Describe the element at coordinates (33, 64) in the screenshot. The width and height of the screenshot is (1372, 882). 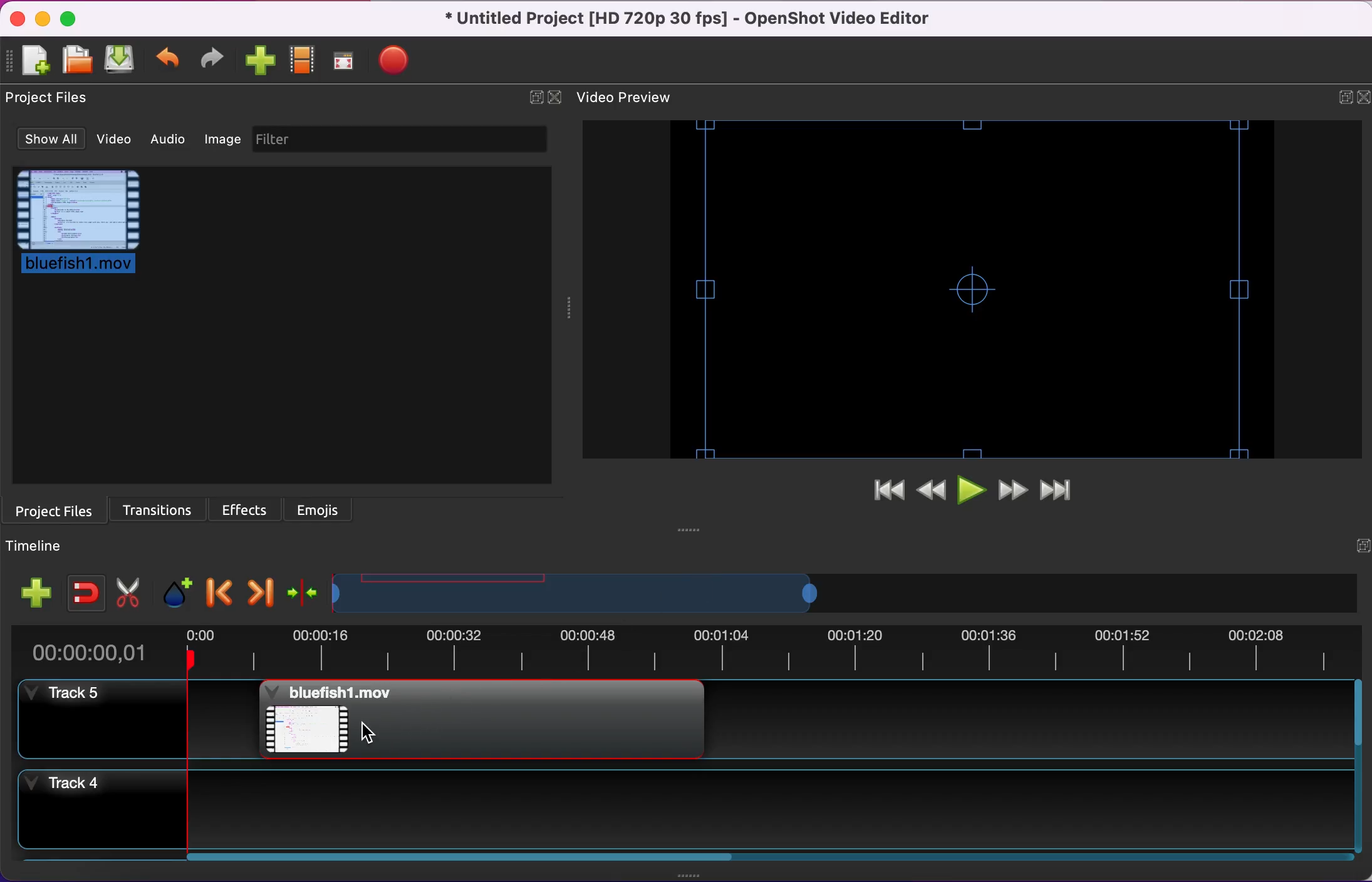
I see `new project` at that location.